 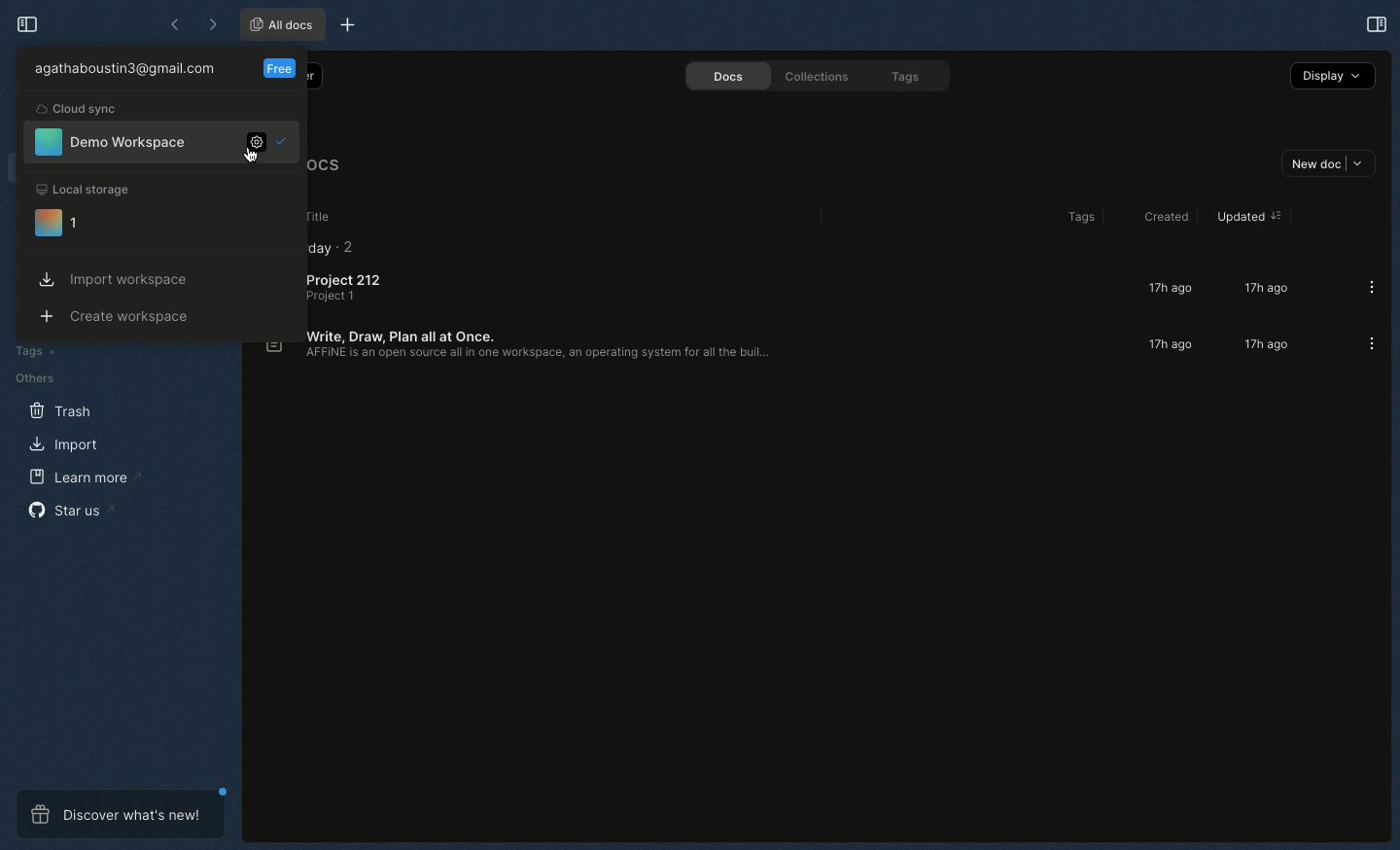 I want to click on New tab, so click(x=357, y=23).